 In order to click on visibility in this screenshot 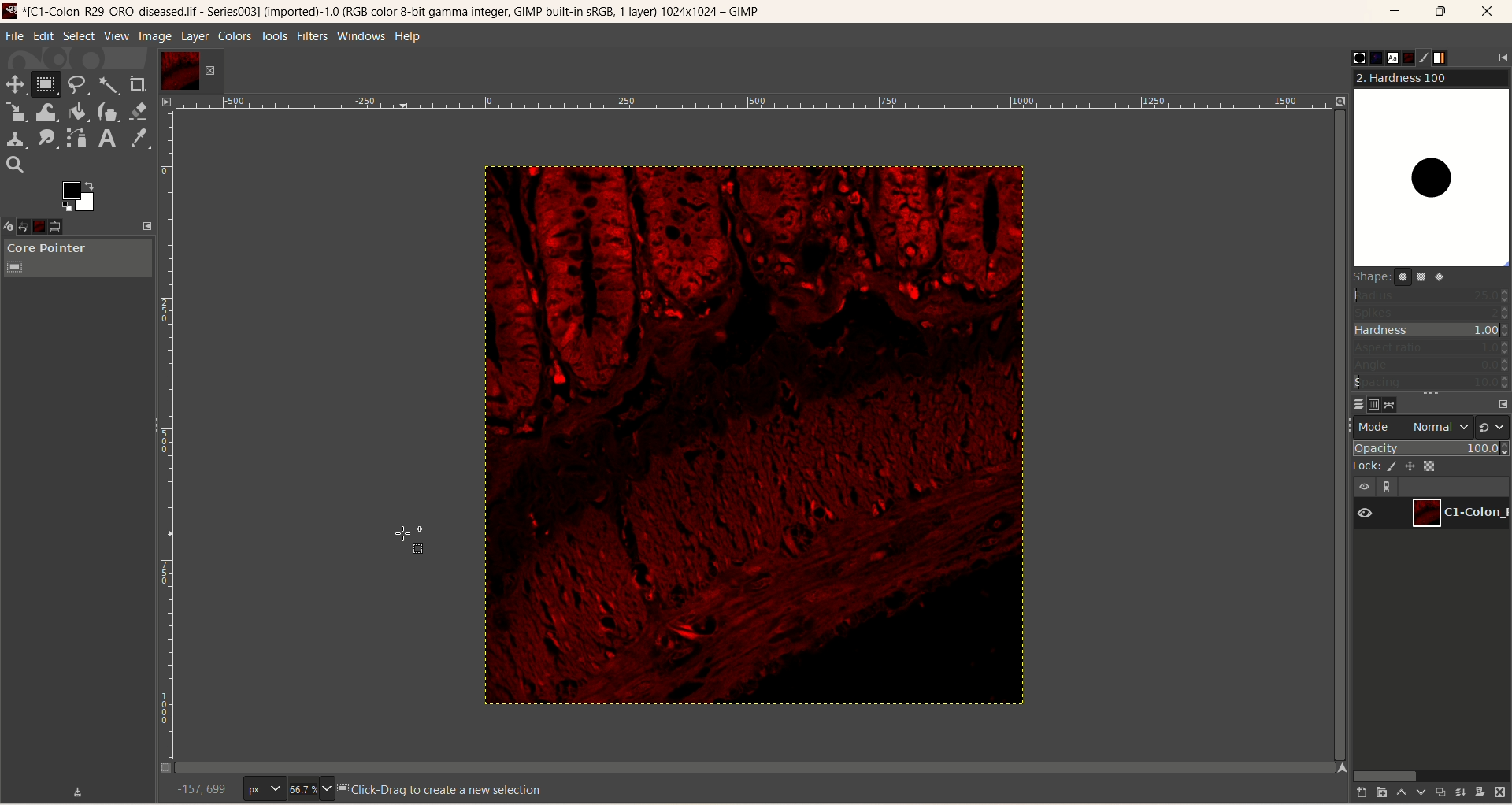, I will do `click(1366, 485)`.